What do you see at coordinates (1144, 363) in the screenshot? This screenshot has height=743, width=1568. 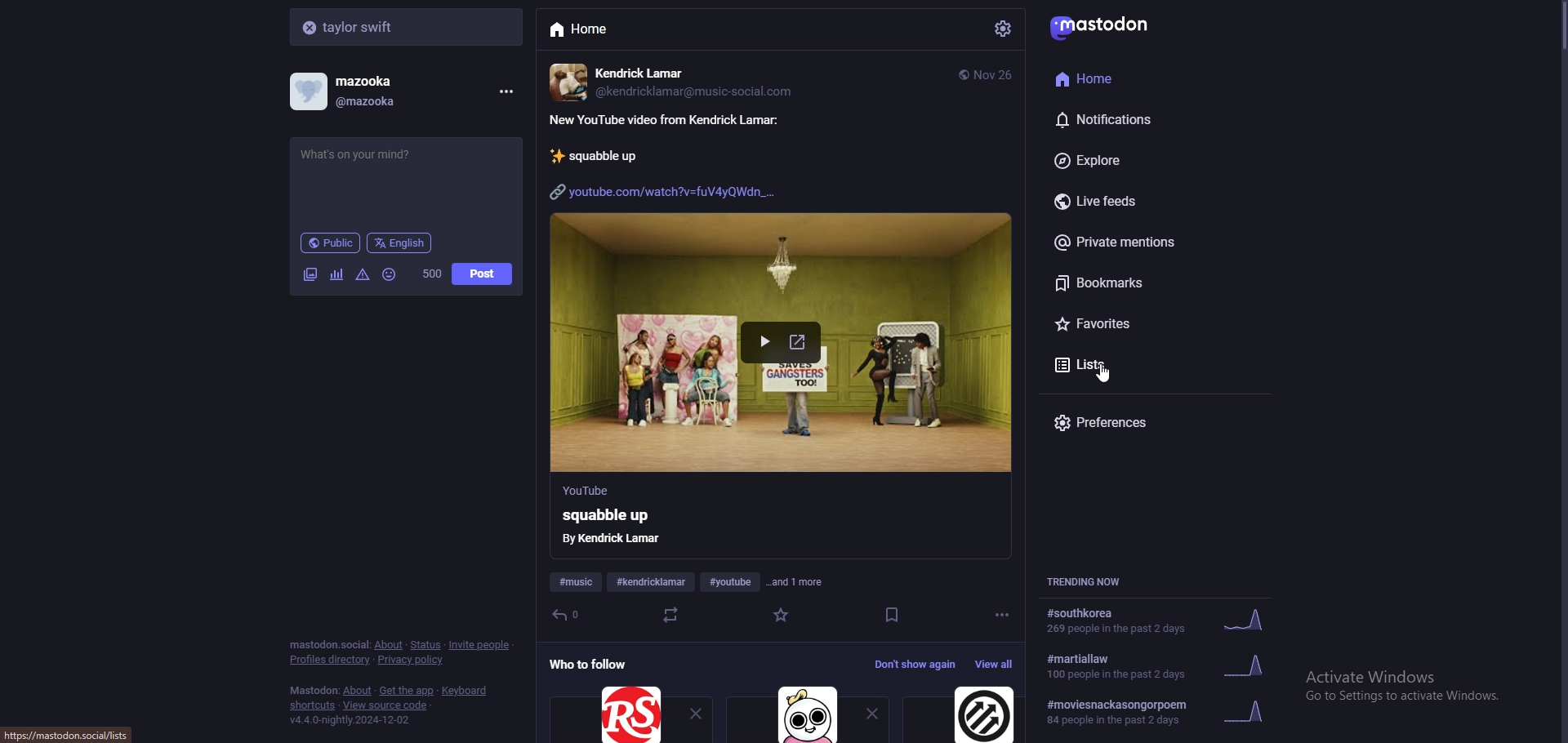 I see `lists` at bounding box center [1144, 363].